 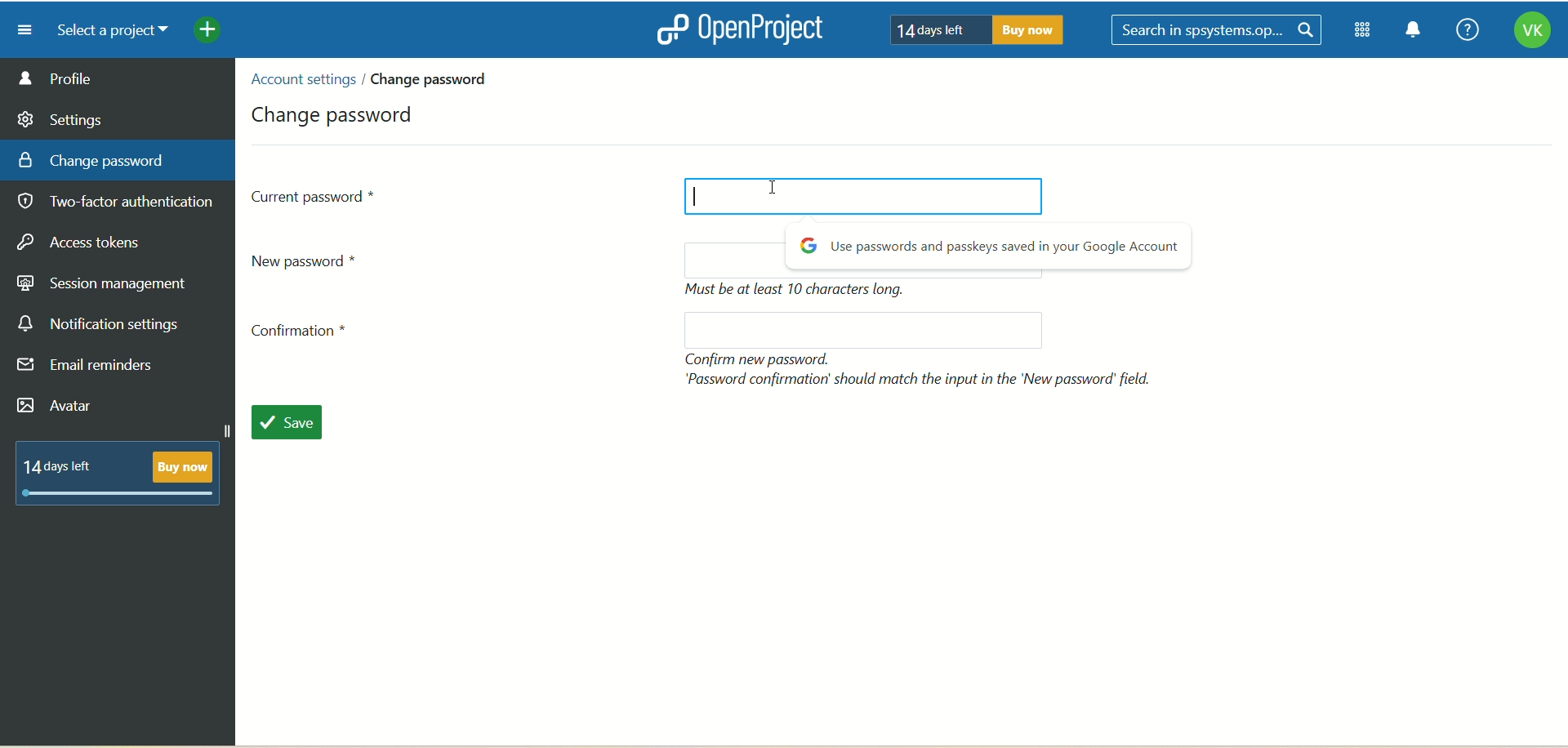 What do you see at coordinates (19, 29) in the screenshot?
I see `menu` at bounding box center [19, 29].